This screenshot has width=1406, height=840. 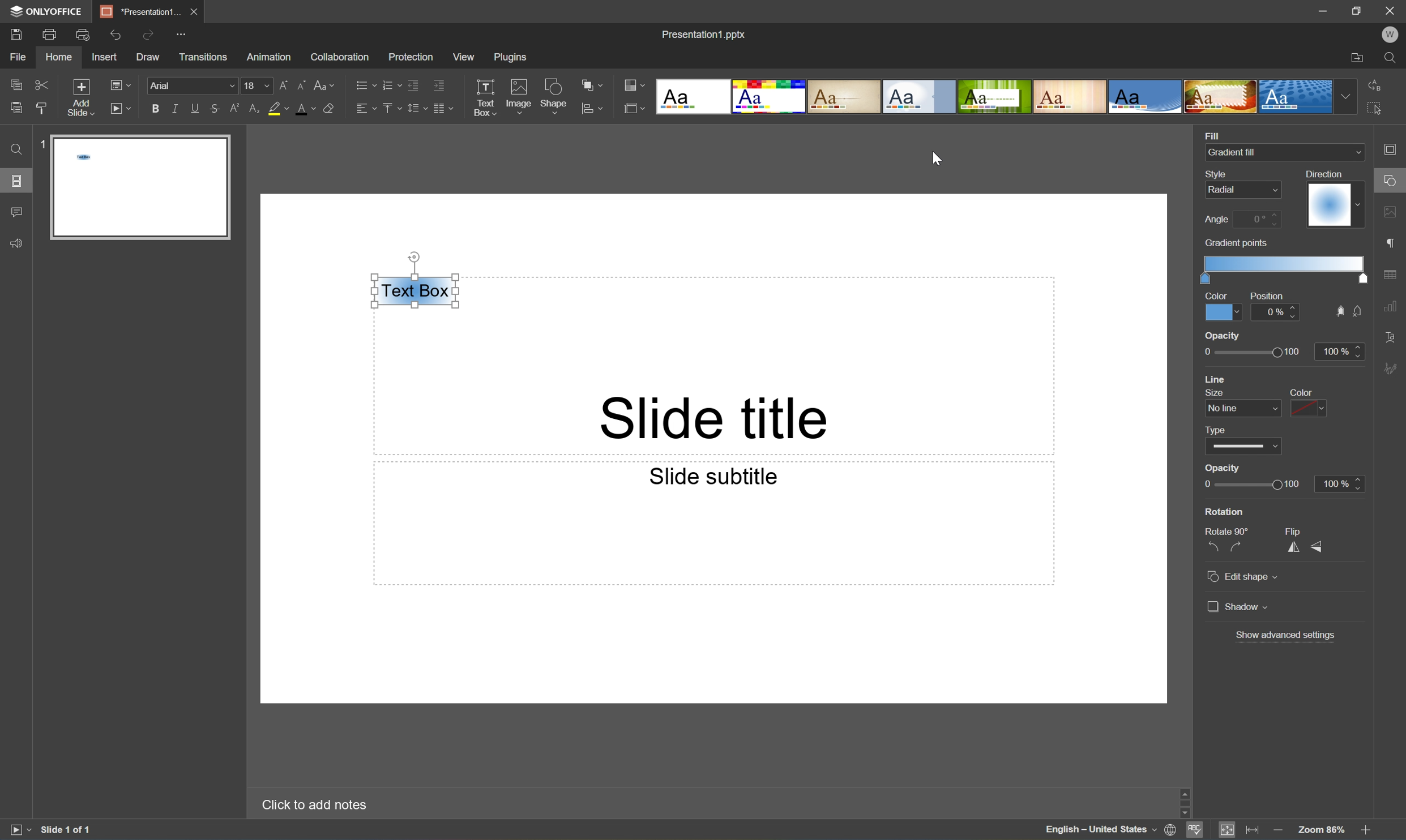 What do you see at coordinates (1217, 134) in the screenshot?
I see `Fill` at bounding box center [1217, 134].